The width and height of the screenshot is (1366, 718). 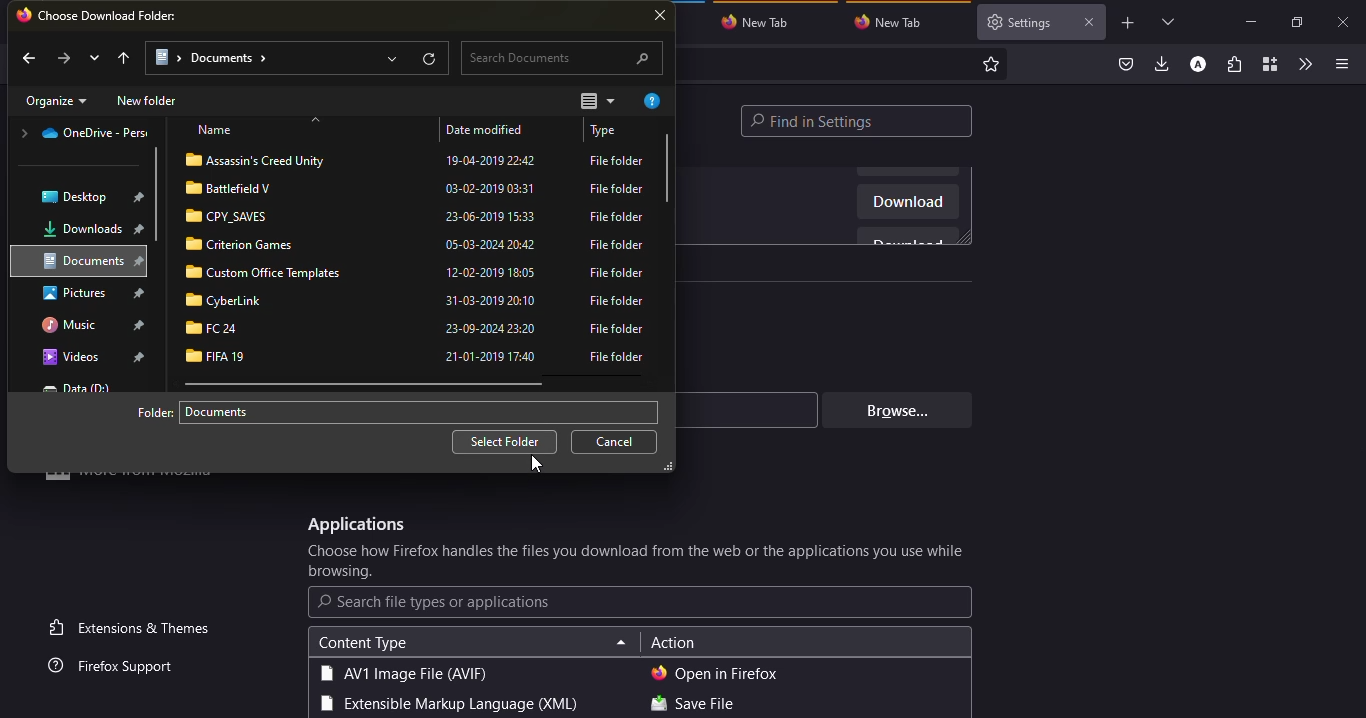 What do you see at coordinates (143, 324) in the screenshot?
I see `pin` at bounding box center [143, 324].